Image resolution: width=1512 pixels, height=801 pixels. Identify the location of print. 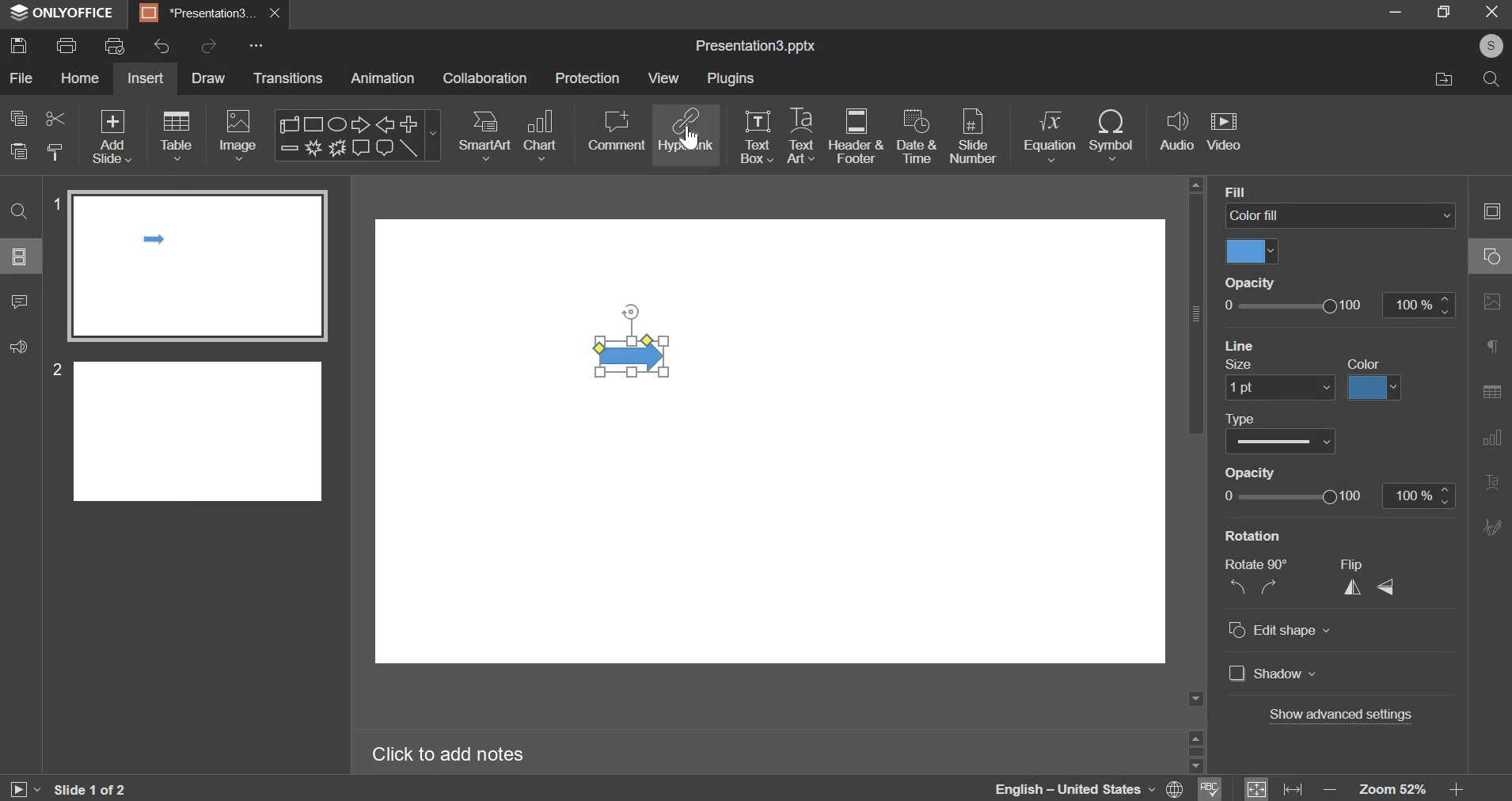
(66, 45).